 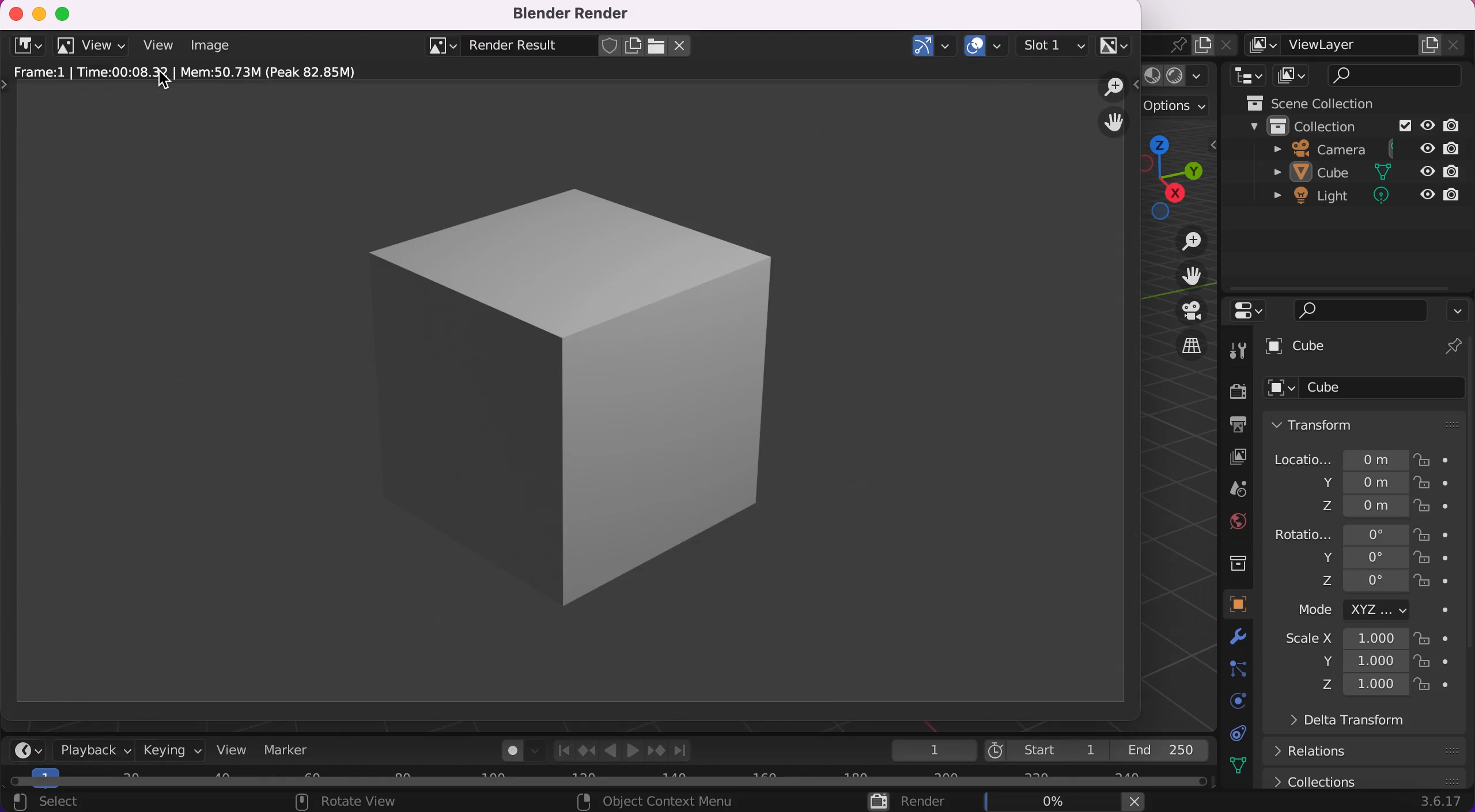 What do you see at coordinates (1361, 312) in the screenshot?
I see `search` at bounding box center [1361, 312].